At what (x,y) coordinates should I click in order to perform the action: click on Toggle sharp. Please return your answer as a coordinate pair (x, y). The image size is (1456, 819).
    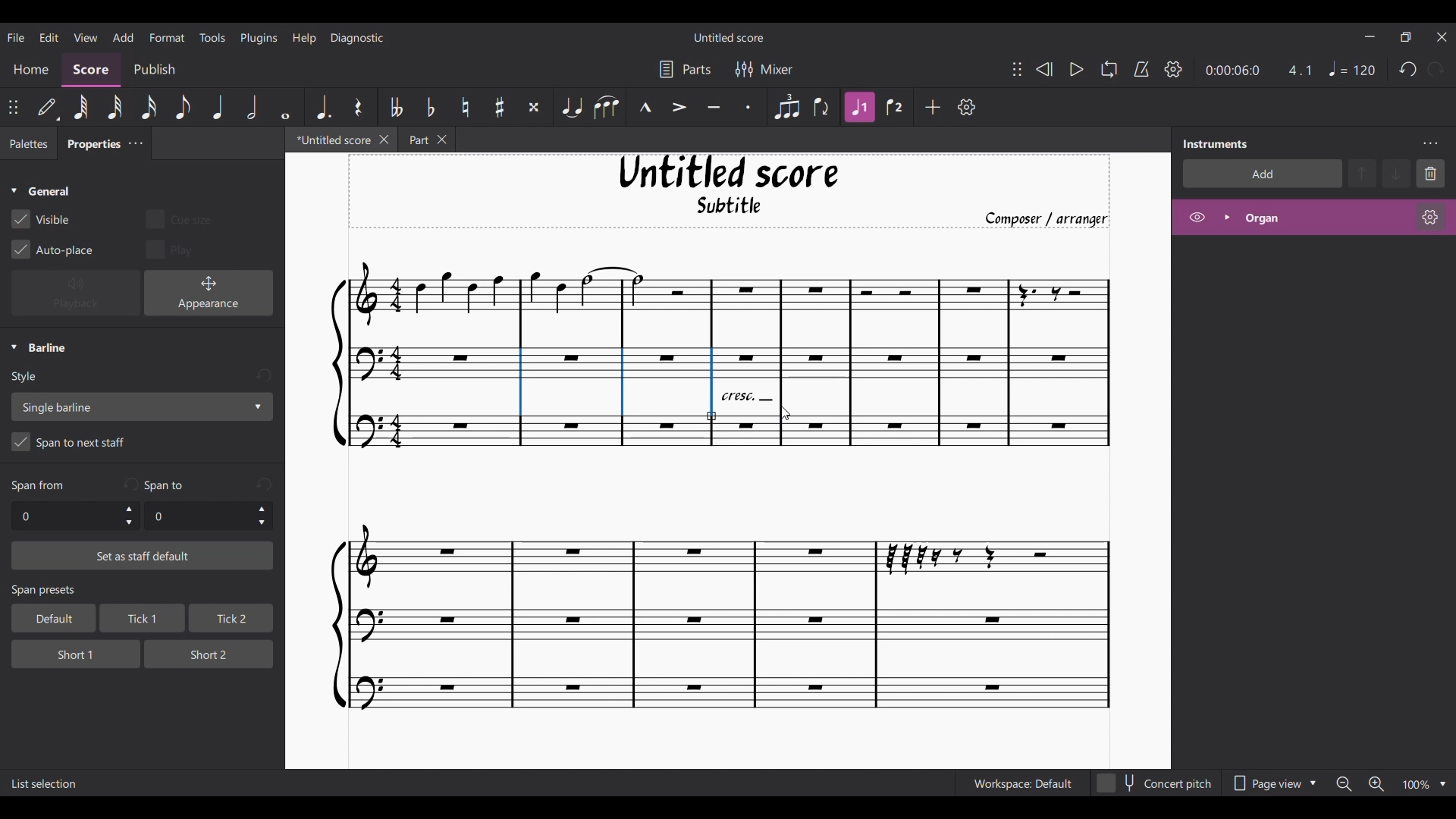
    Looking at the image, I should click on (500, 108).